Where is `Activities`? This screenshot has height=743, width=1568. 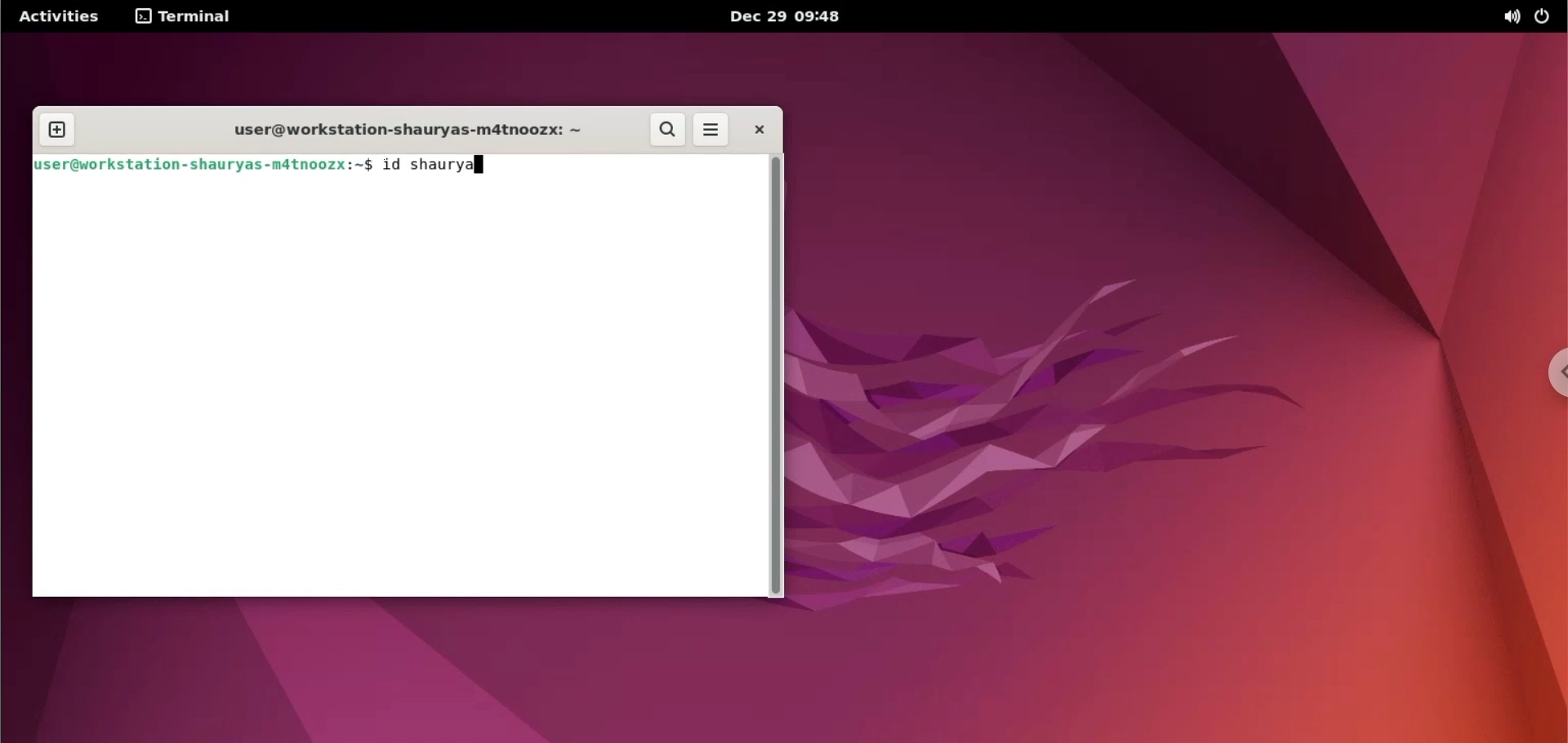
Activities is located at coordinates (55, 19).